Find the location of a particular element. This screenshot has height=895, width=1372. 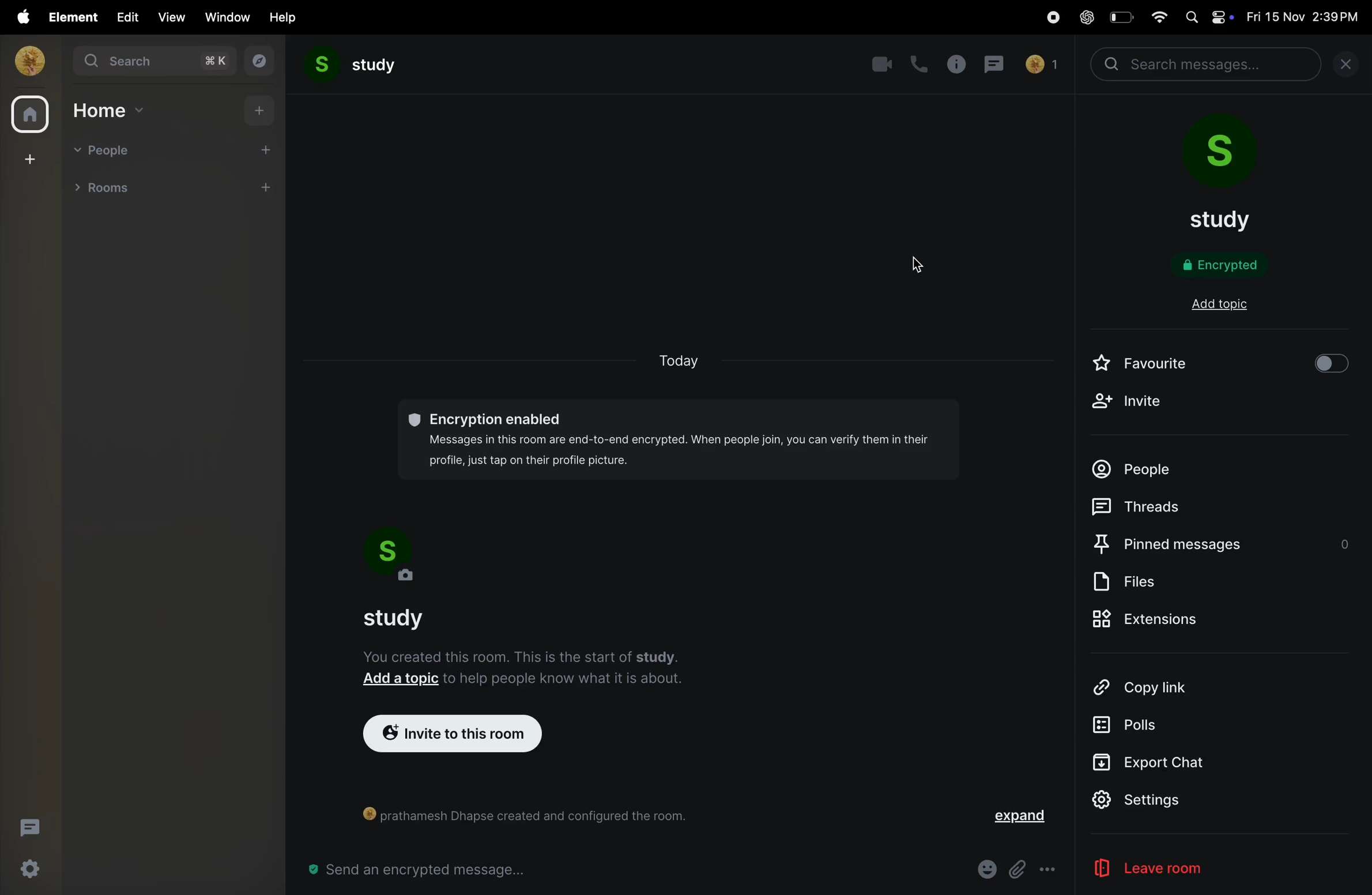

date and time is located at coordinates (1306, 17).